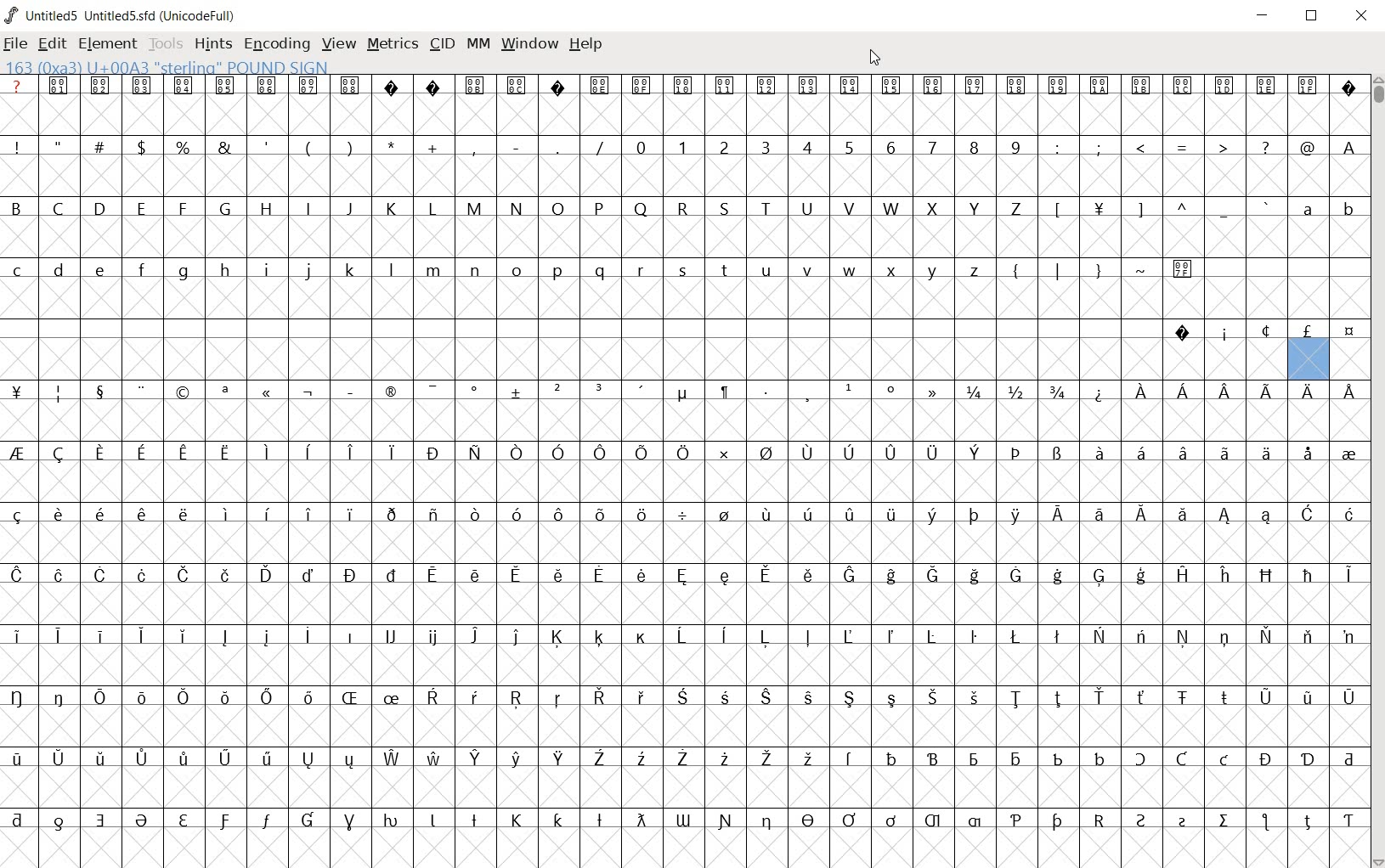 The image size is (1385, 868). Describe the element at coordinates (1098, 392) in the screenshot. I see `Symbol` at that location.